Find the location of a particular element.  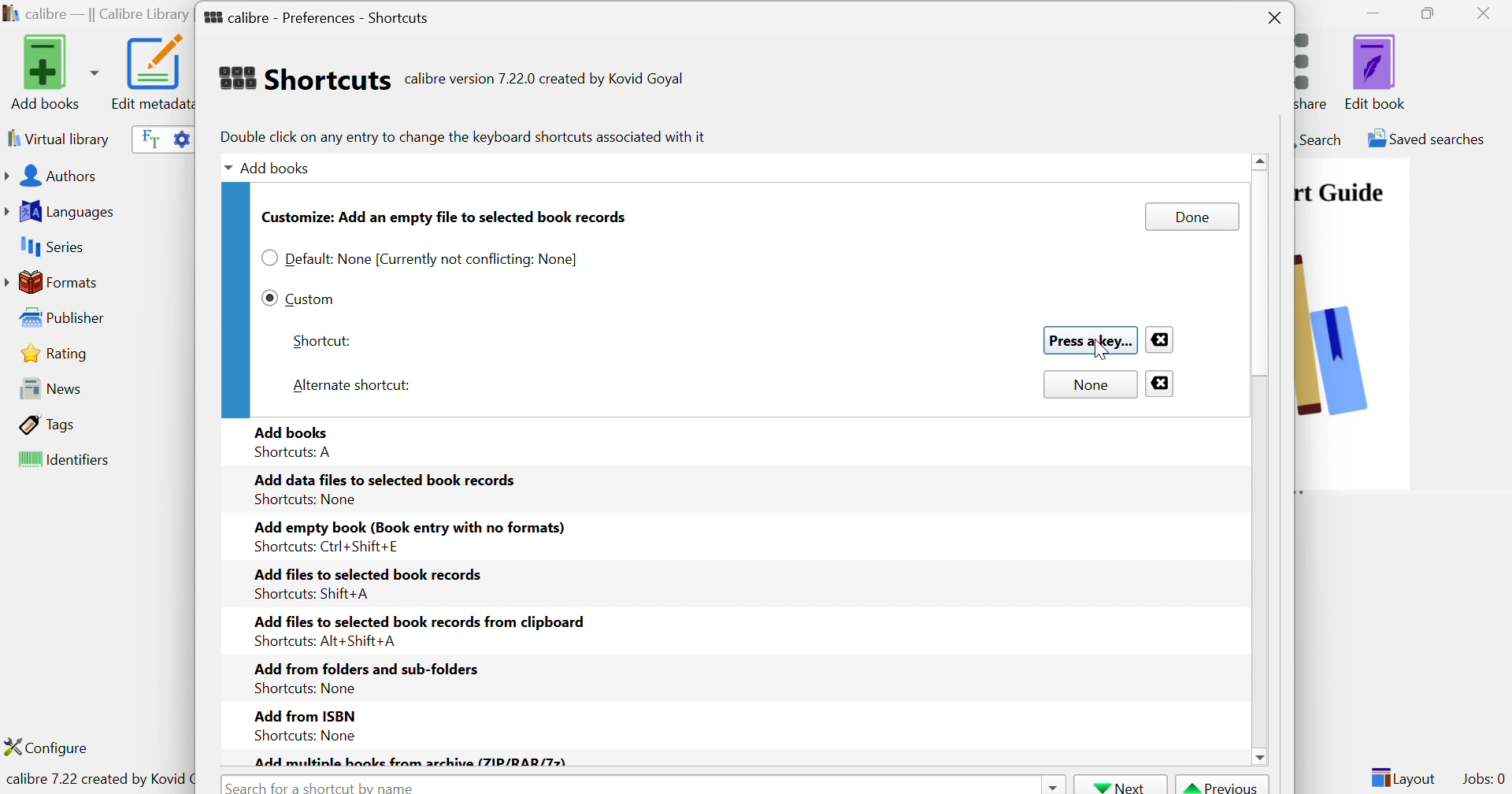

Checkbox is located at coordinates (269, 297).